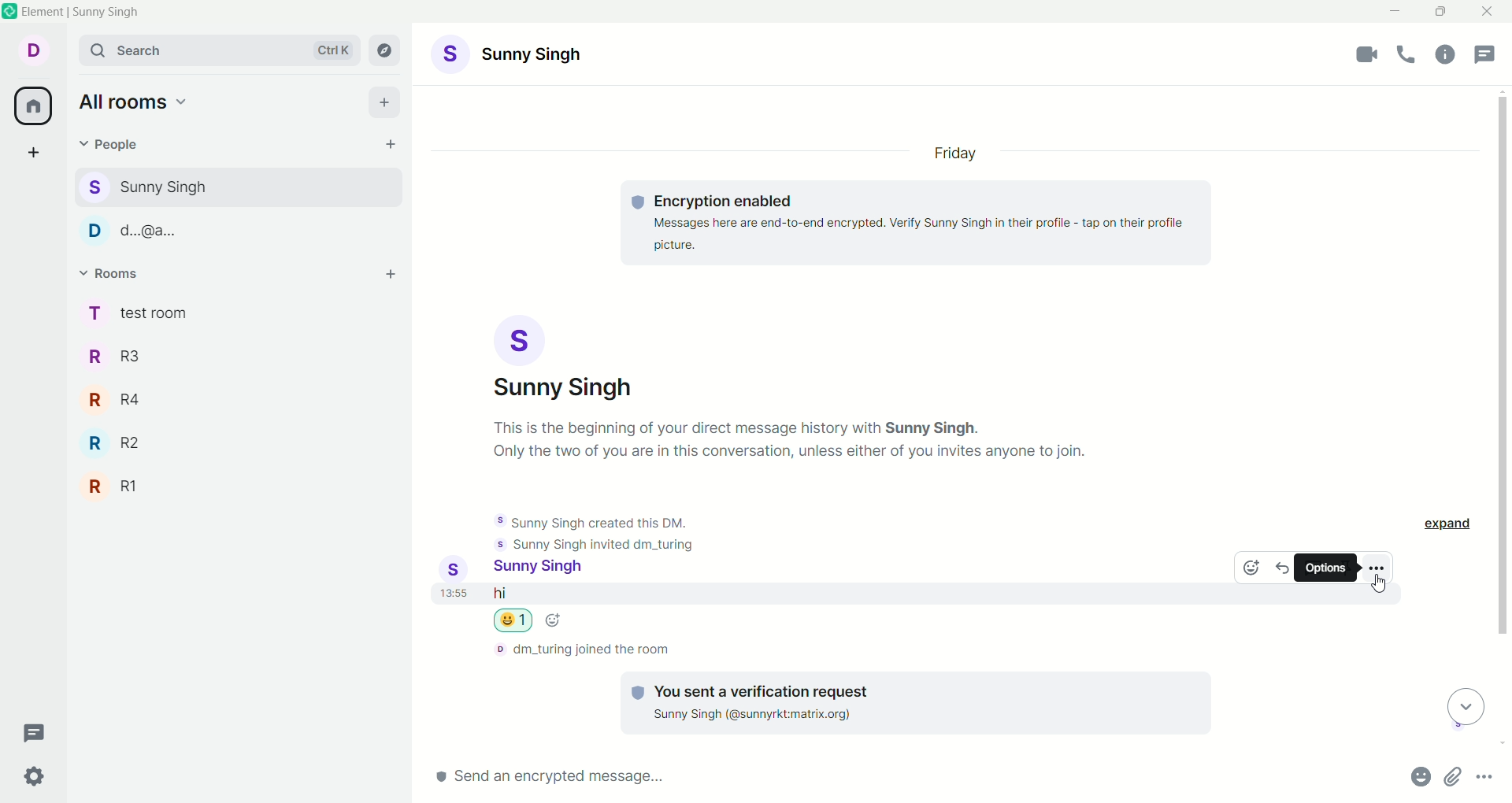  I want to click on rooms, so click(139, 312).